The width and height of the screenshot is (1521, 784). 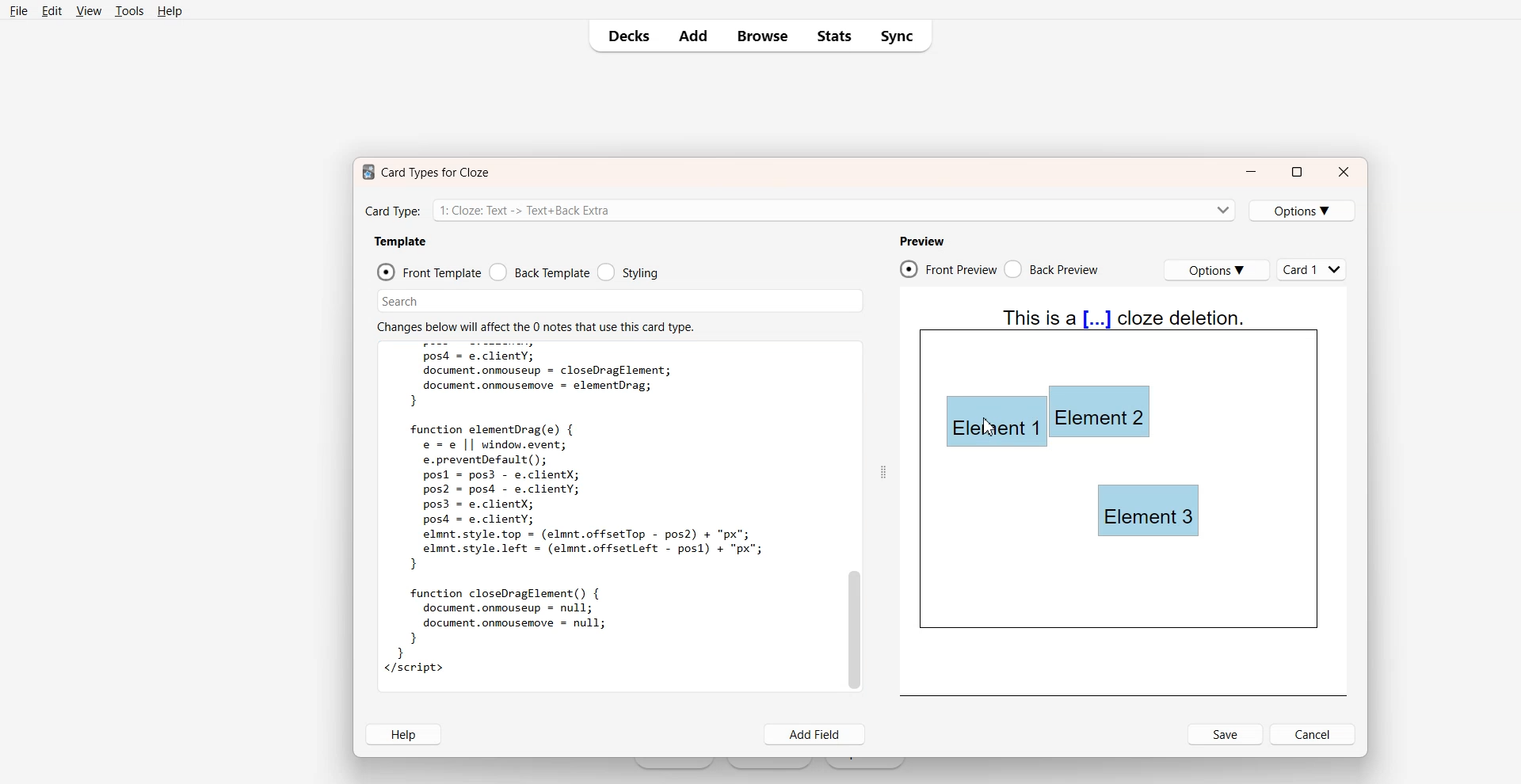 What do you see at coordinates (1226, 734) in the screenshot?
I see `Save` at bounding box center [1226, 734].